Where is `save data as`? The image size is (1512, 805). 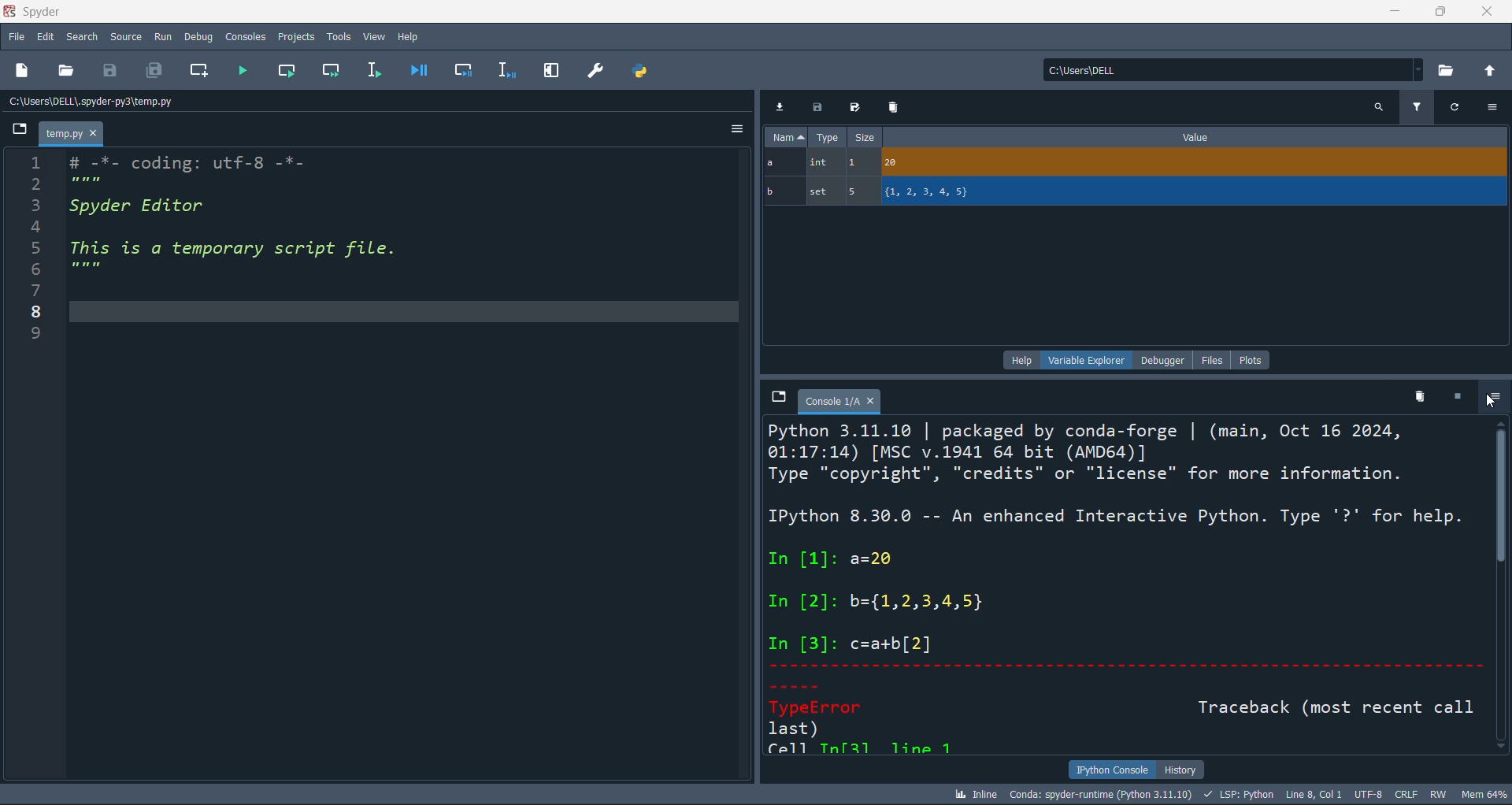 save data as is located at coordinates (852, 108).